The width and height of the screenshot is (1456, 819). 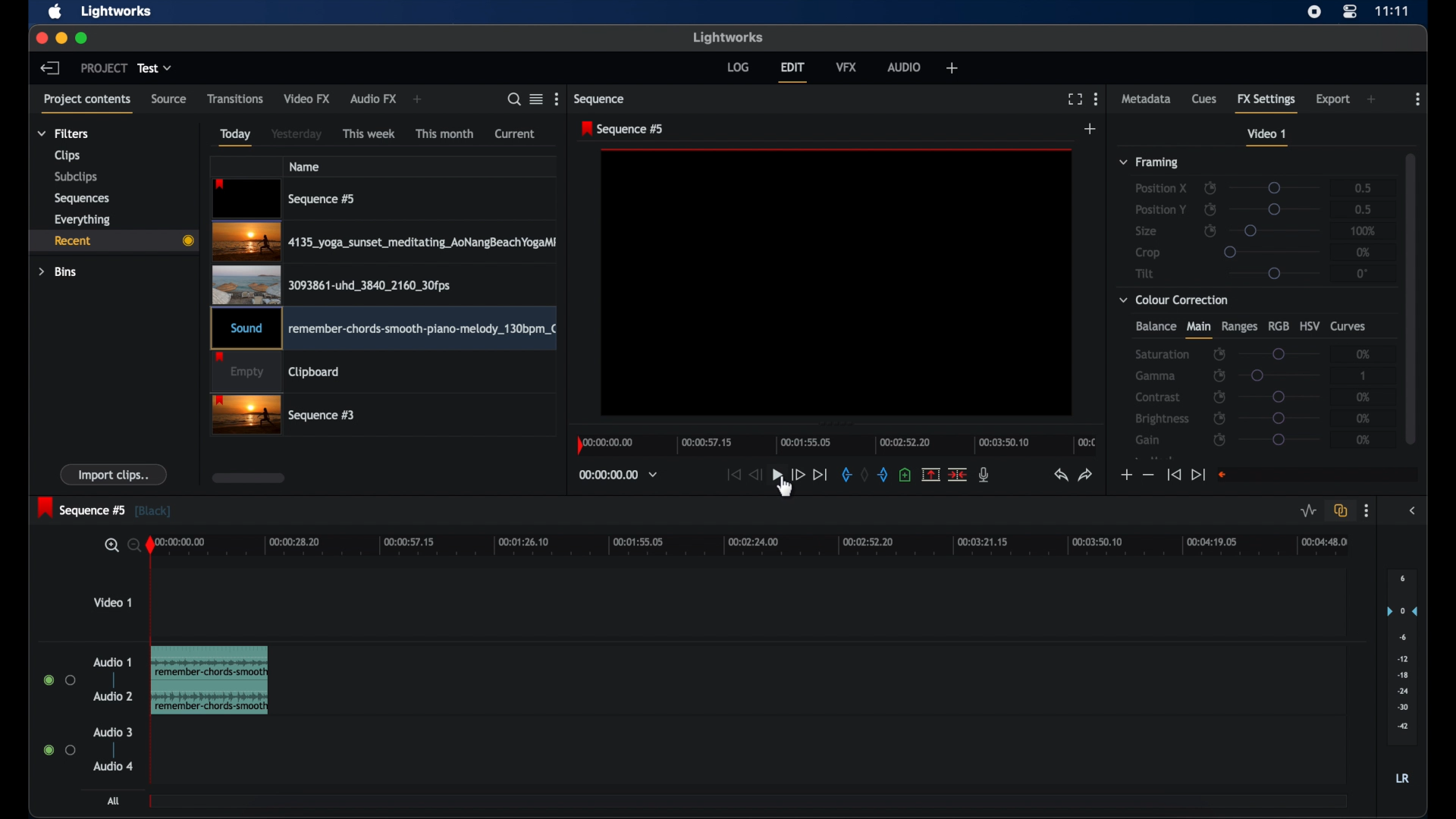 I want to click on name, so click(x=304, y=166).